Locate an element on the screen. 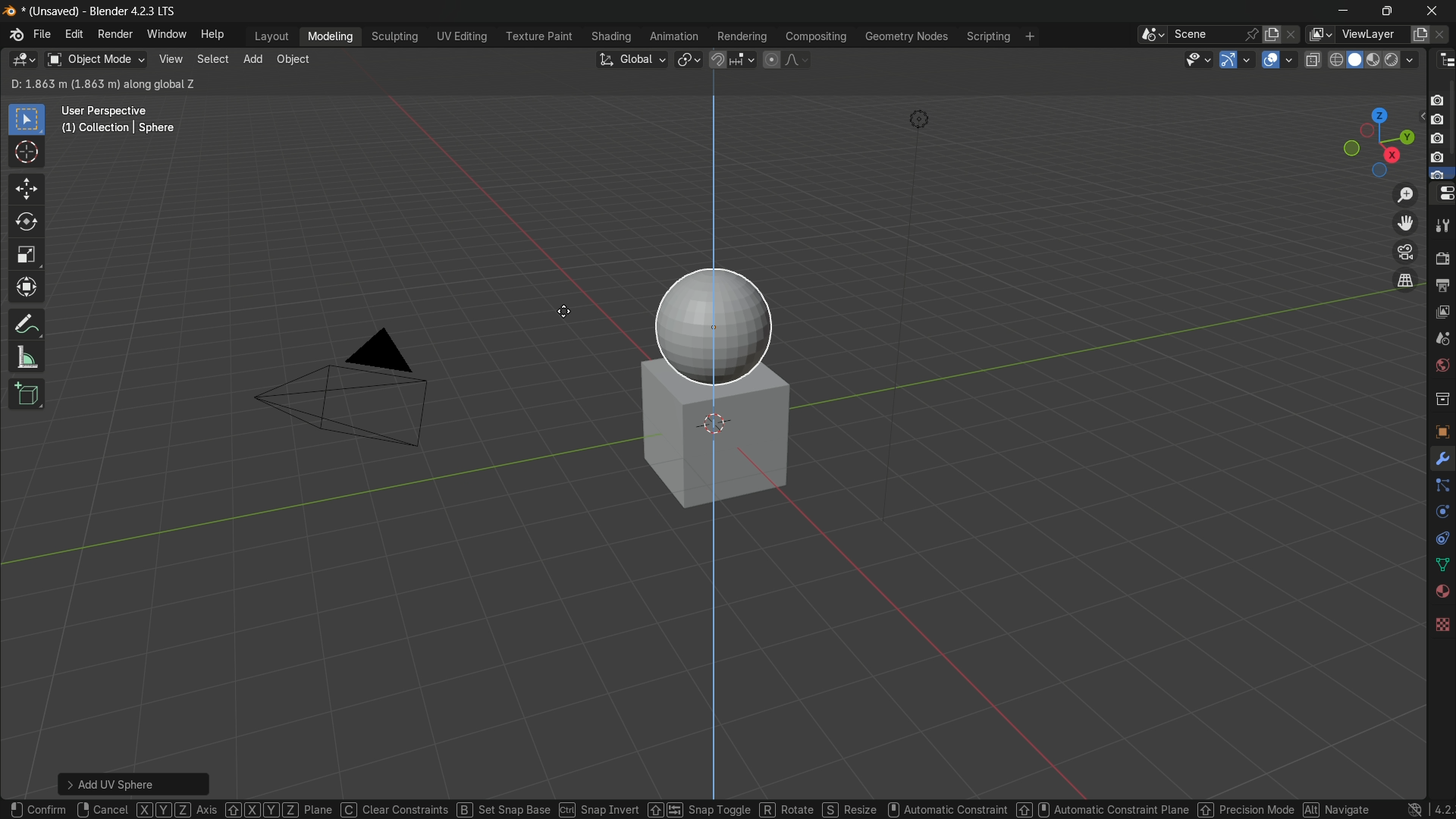 The width and height of the screenshot is (1456, 819). rotate is located at coordinates (29, 225).